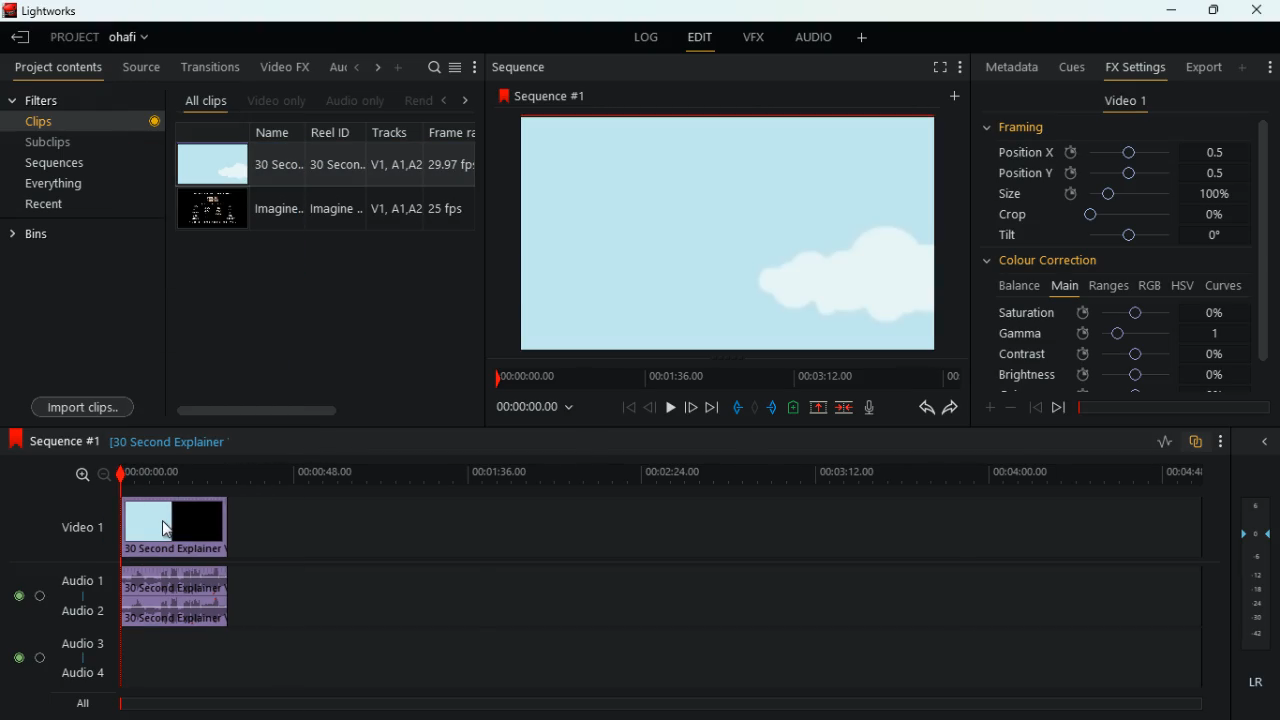 The image size is (1280, 720). I want to click on back, so click(650, 407).